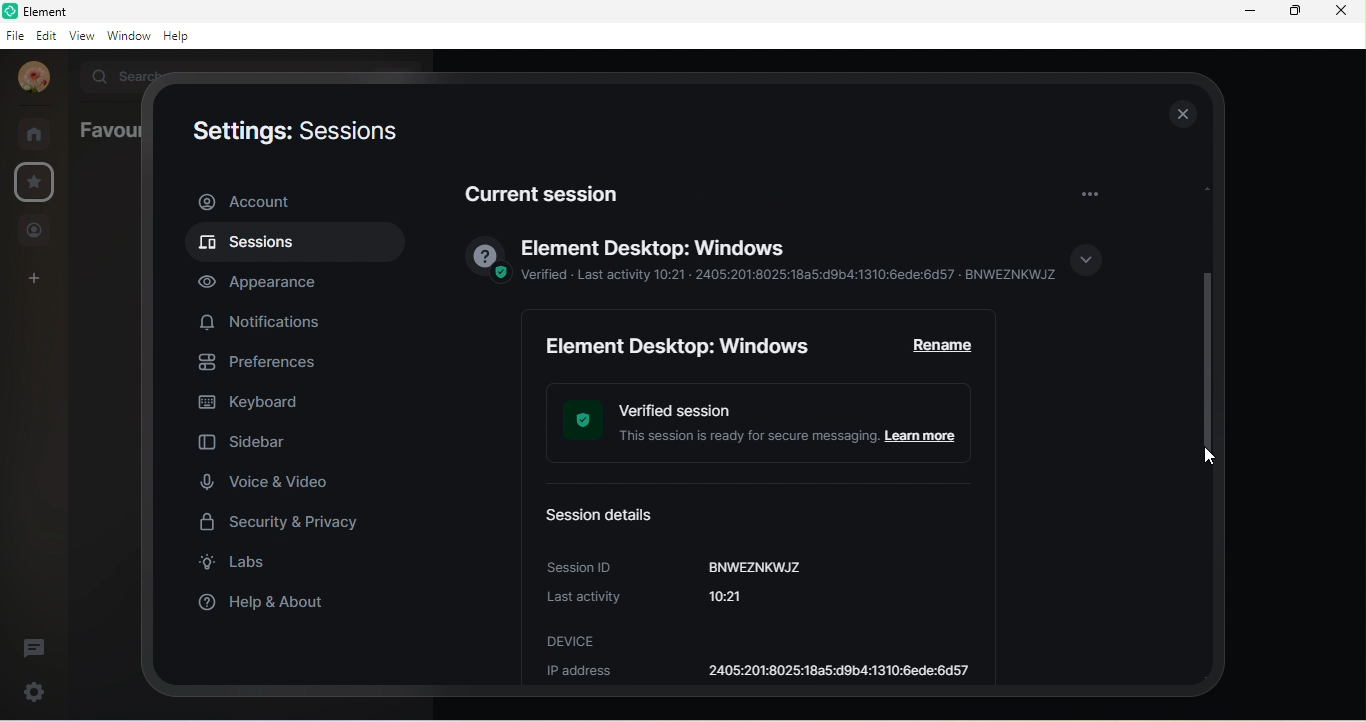 The image size is (1366, 722). Describe the element at coordinates (1181, 113) in the screenshot. I see `close` at that location.